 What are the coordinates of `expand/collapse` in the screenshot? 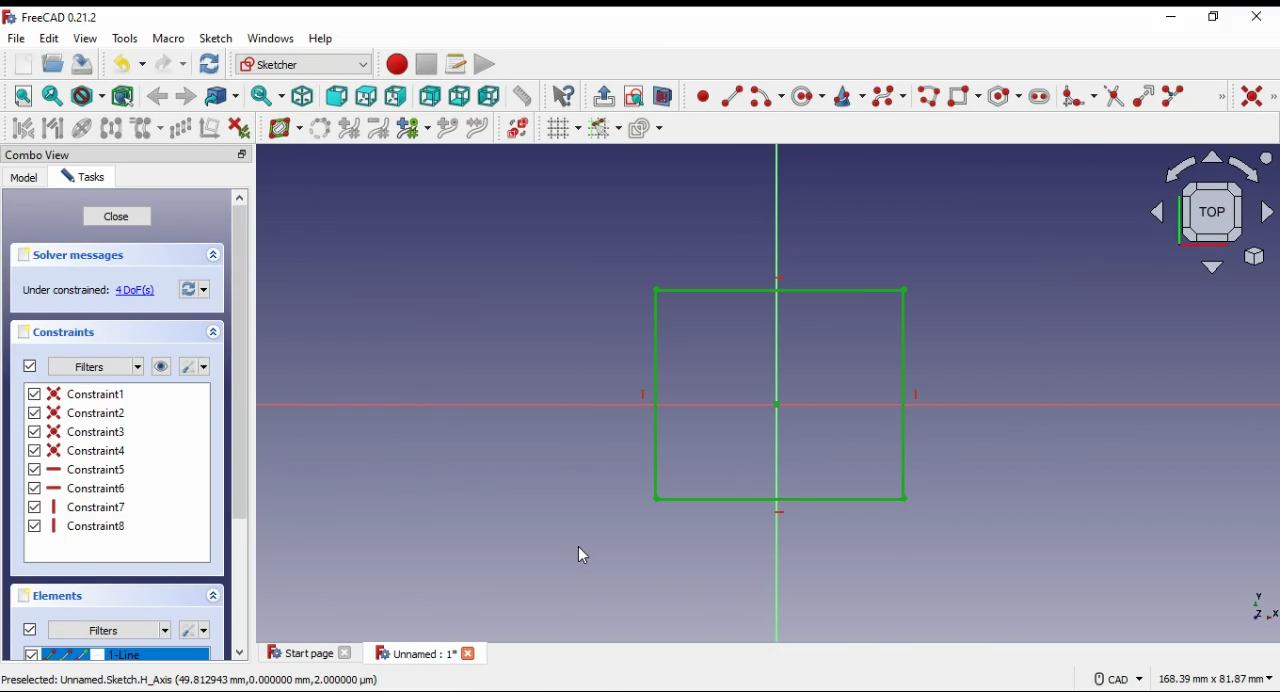 It's located at (214, 332).